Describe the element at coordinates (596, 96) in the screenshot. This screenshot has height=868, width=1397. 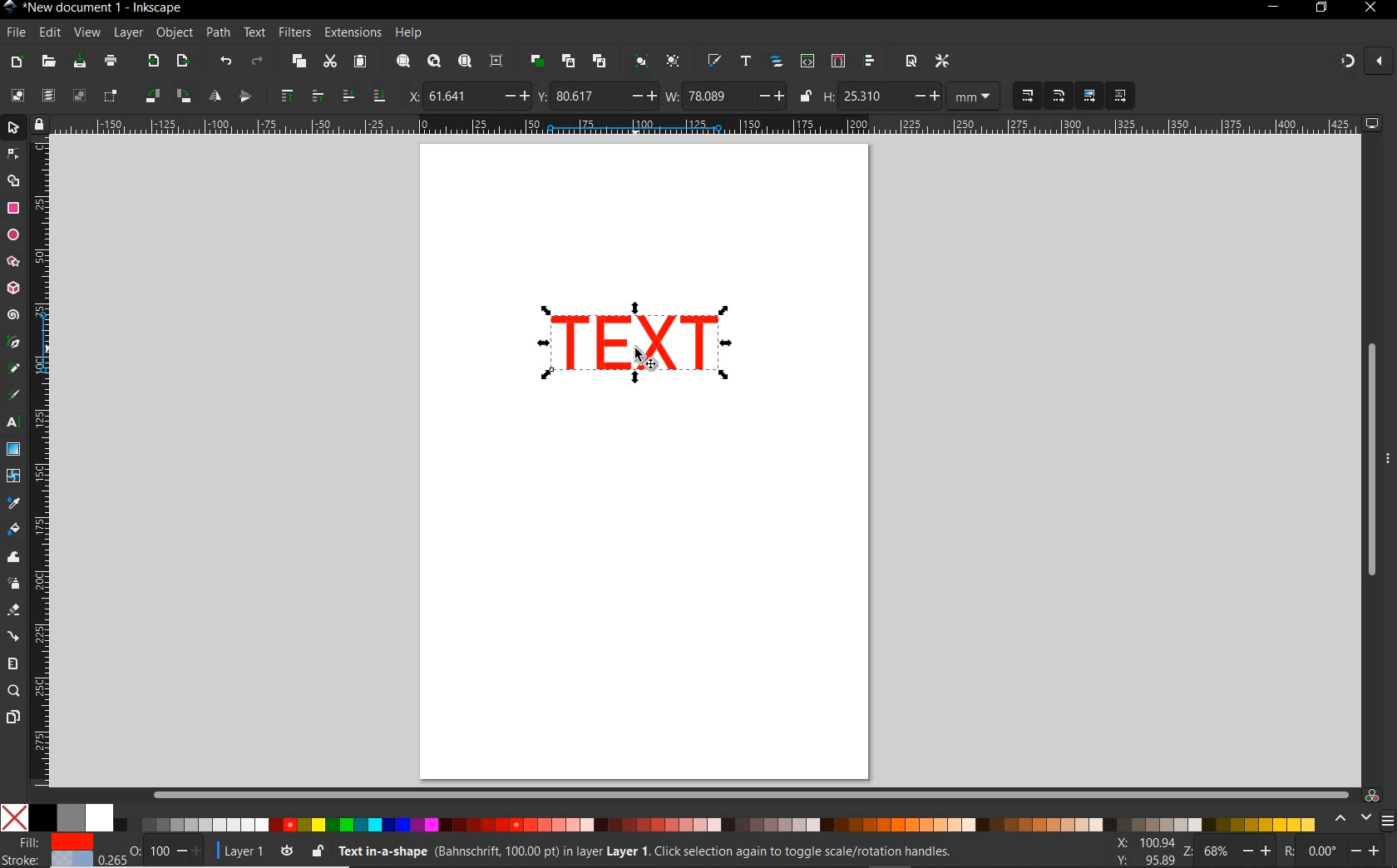
I see `vertical coordinate of selection` at that location.